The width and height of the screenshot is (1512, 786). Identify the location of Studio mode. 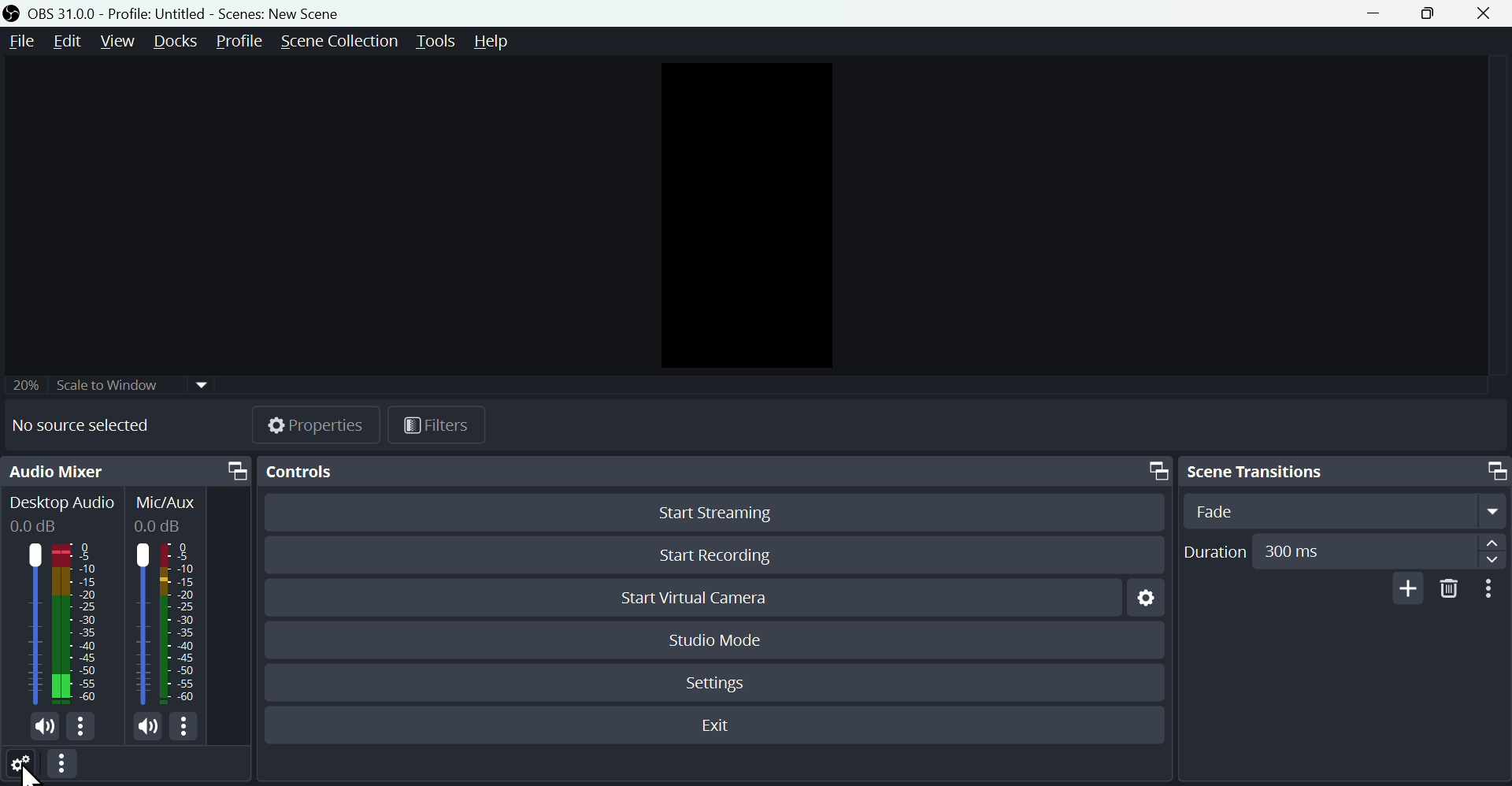
(717, 637).